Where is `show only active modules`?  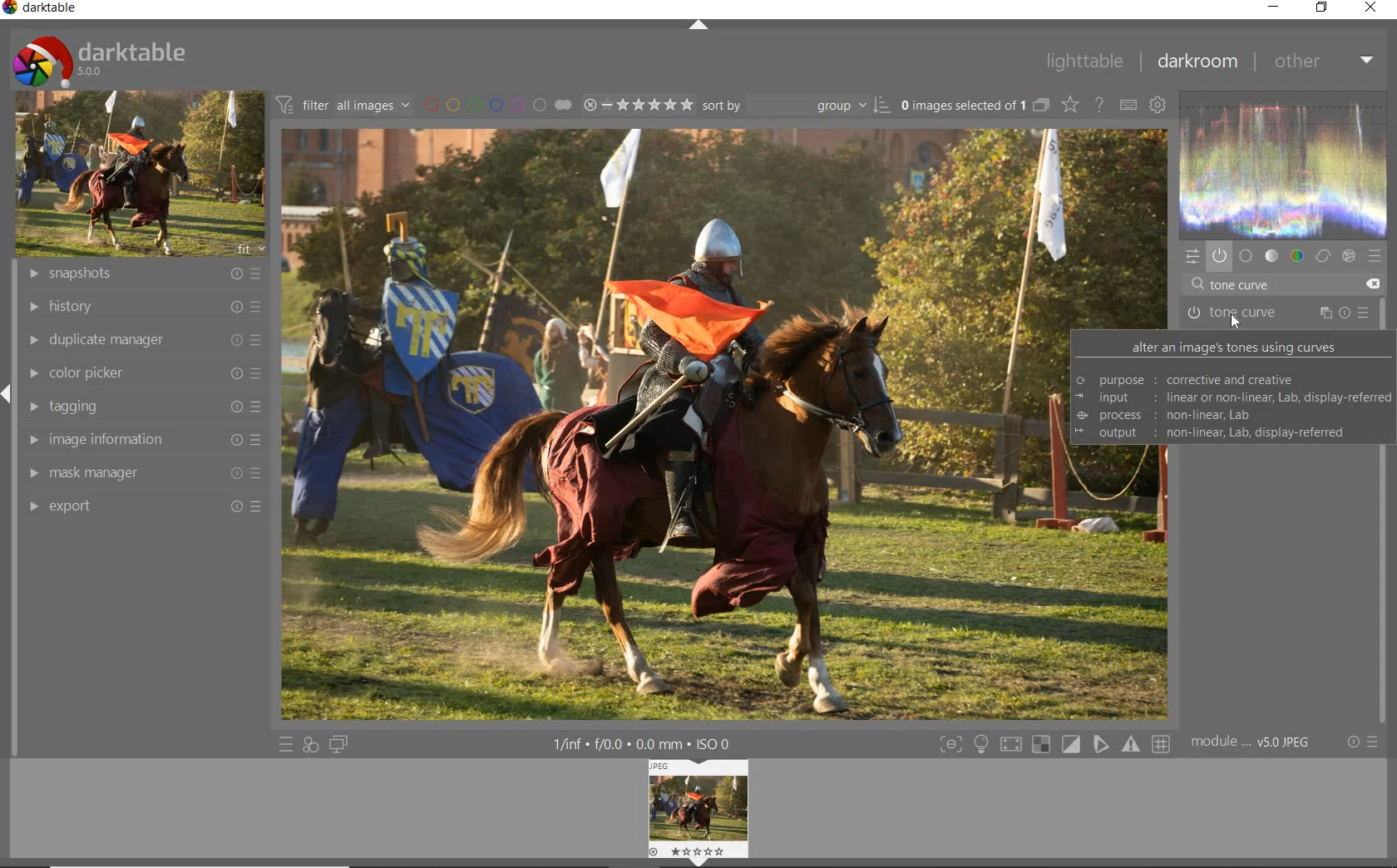
show only active modules is located at coordinates (1219, 257).